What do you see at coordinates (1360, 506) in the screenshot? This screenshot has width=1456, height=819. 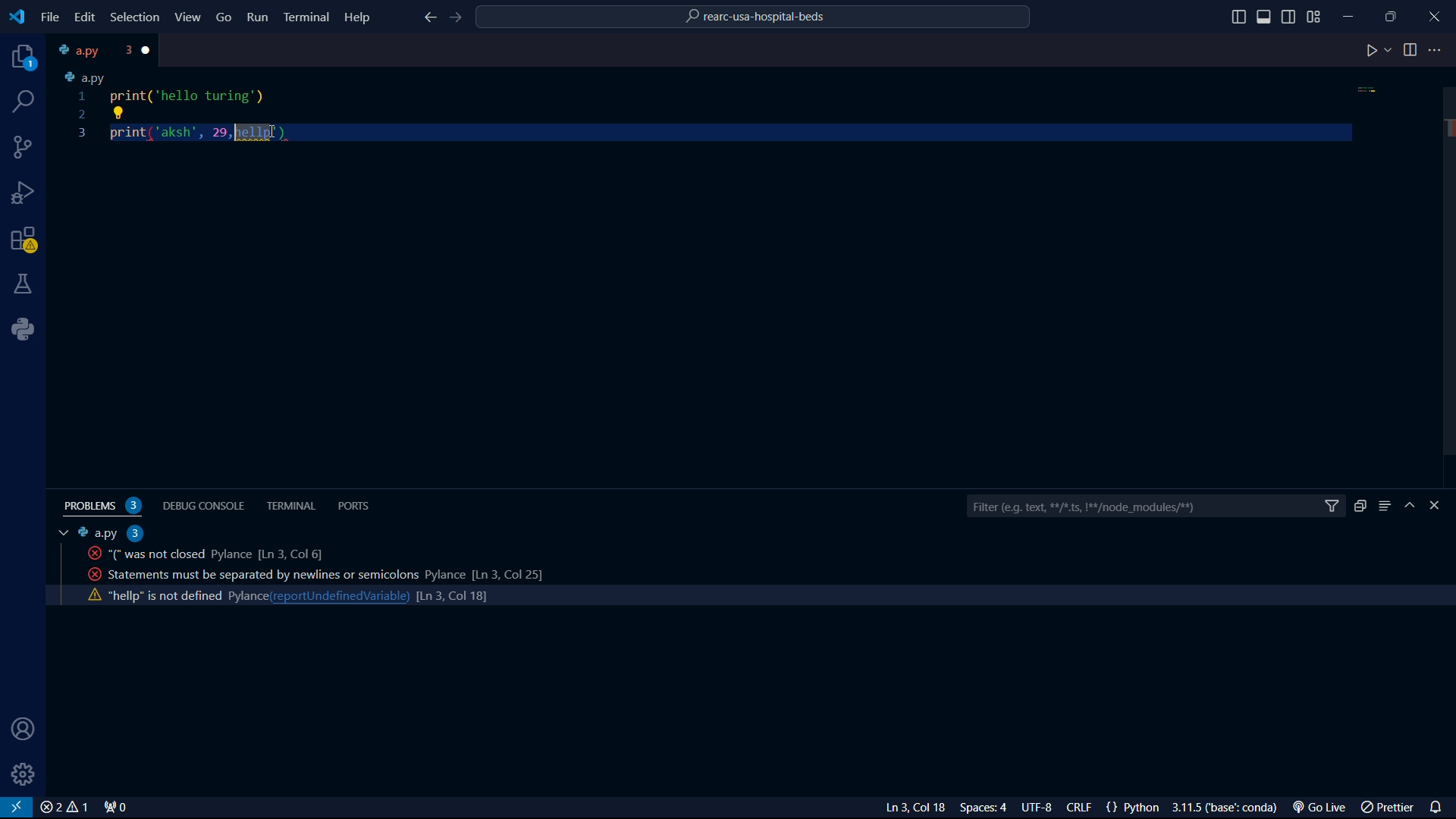 I see `duplicate` at bounding box center [1360, 506].